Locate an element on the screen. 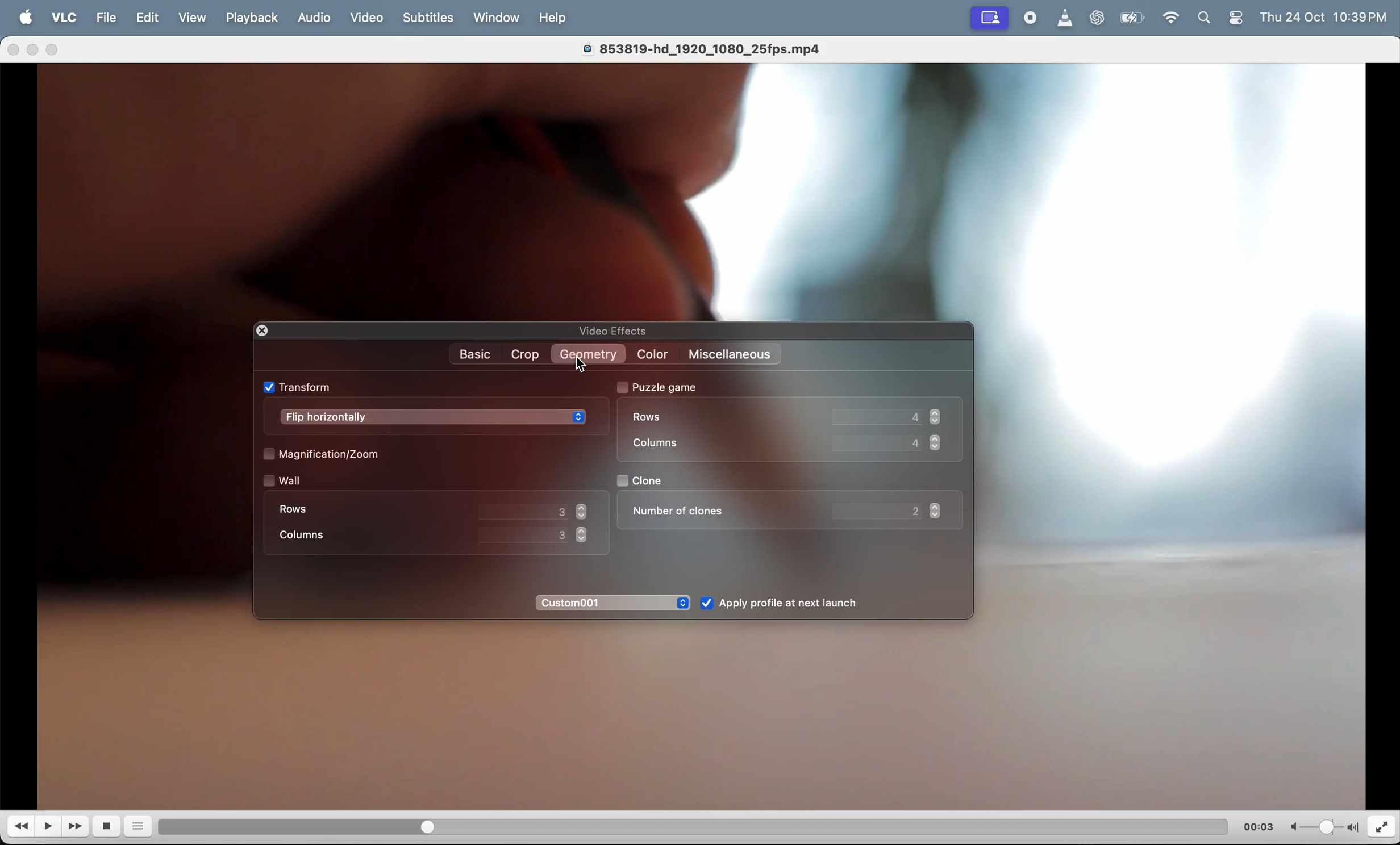 Image resolution: width=1400 pixels, height=845 pixels. check box is located at coordinates (266, 454).